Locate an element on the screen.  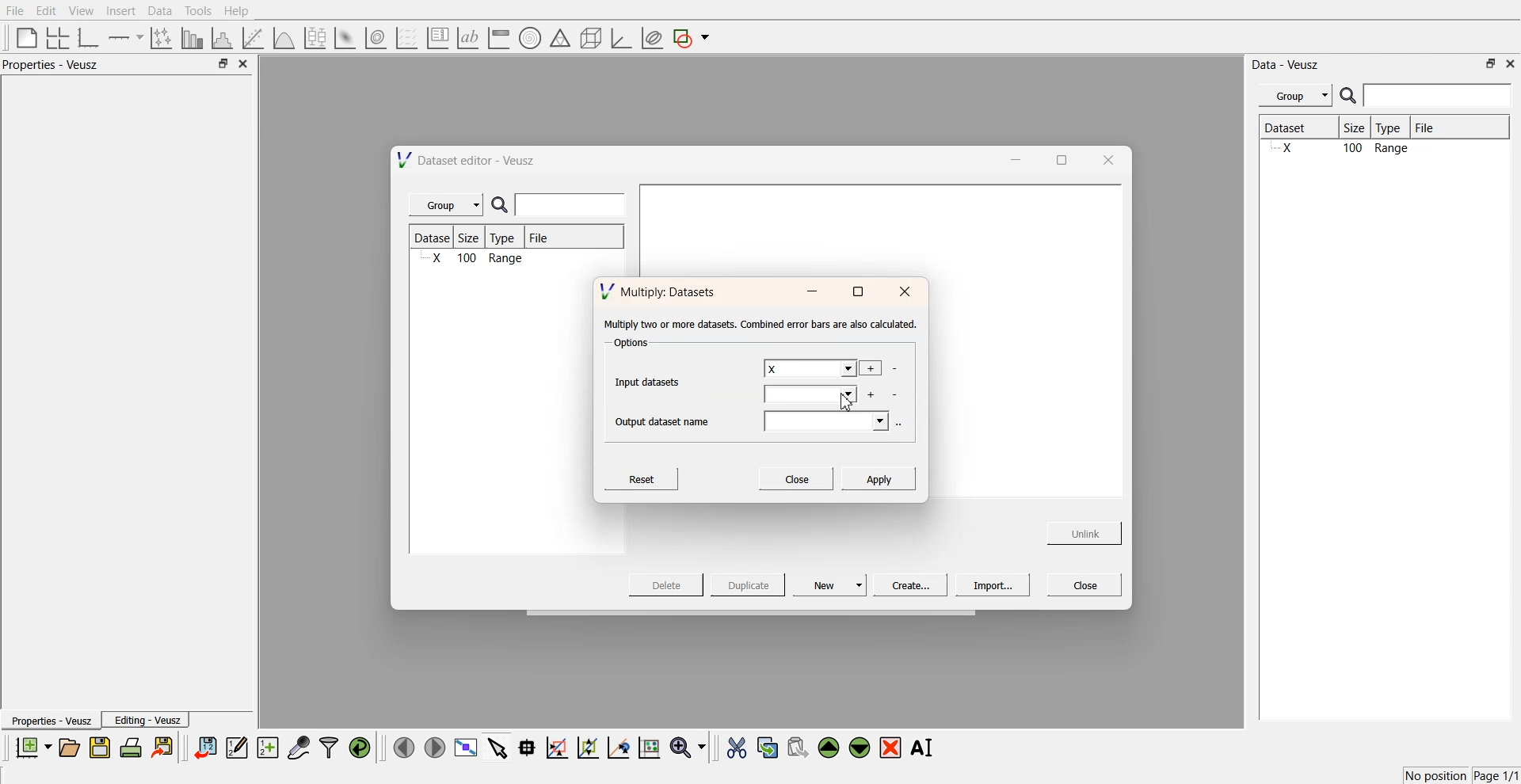
move right is located at coordinates (434, 746).